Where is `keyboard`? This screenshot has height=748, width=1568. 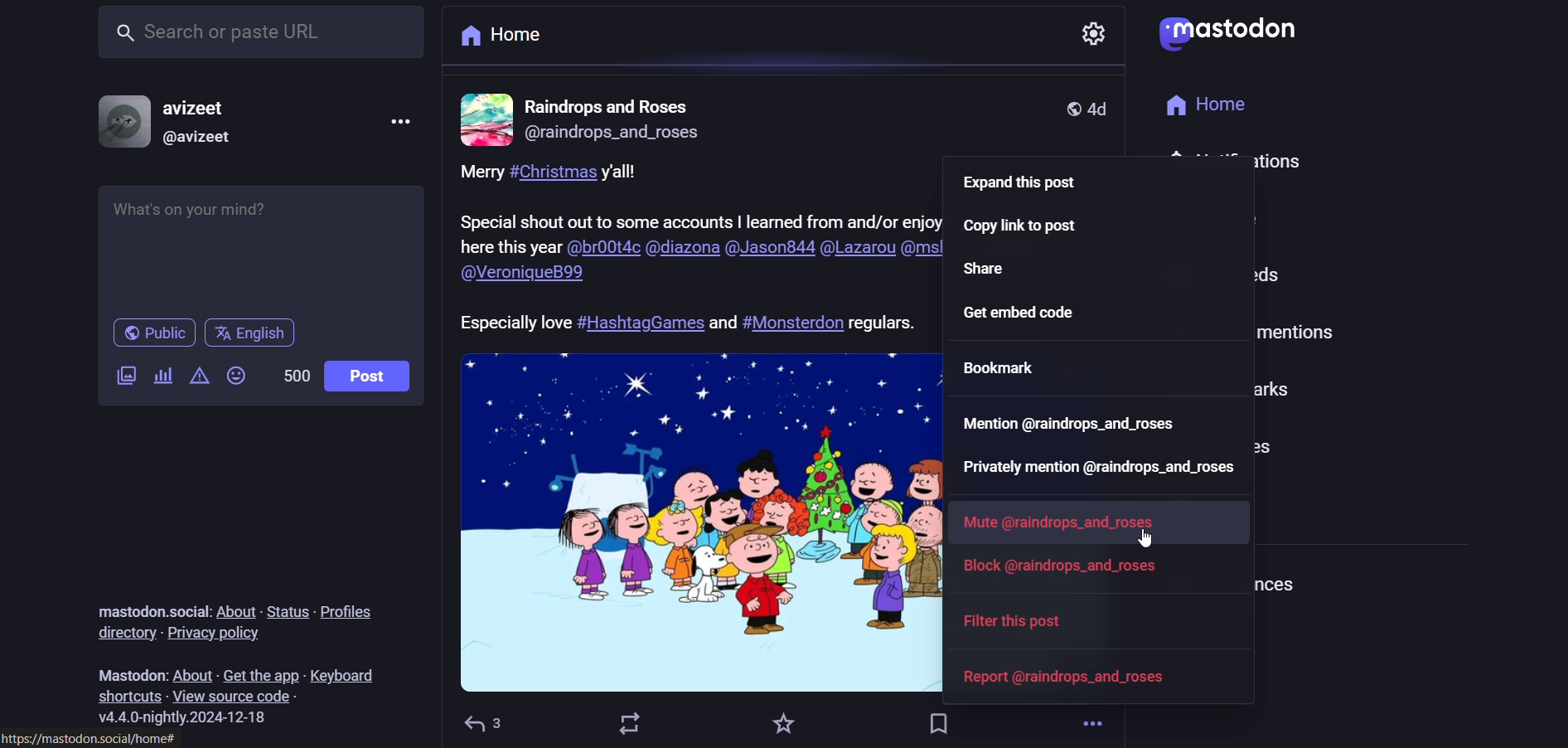
keyboard is located at coordinates (347, 674).